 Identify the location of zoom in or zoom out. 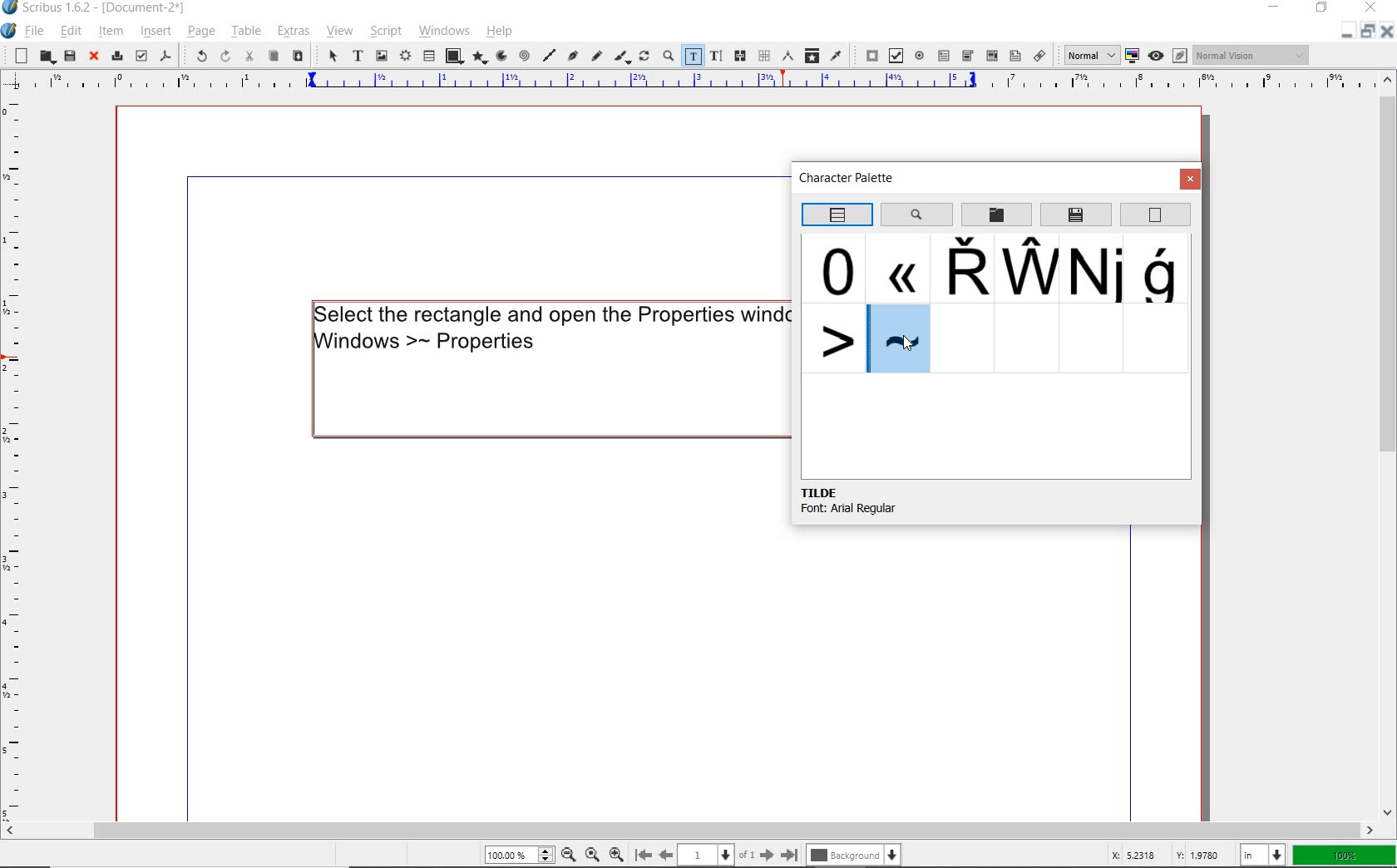
(666, 57).